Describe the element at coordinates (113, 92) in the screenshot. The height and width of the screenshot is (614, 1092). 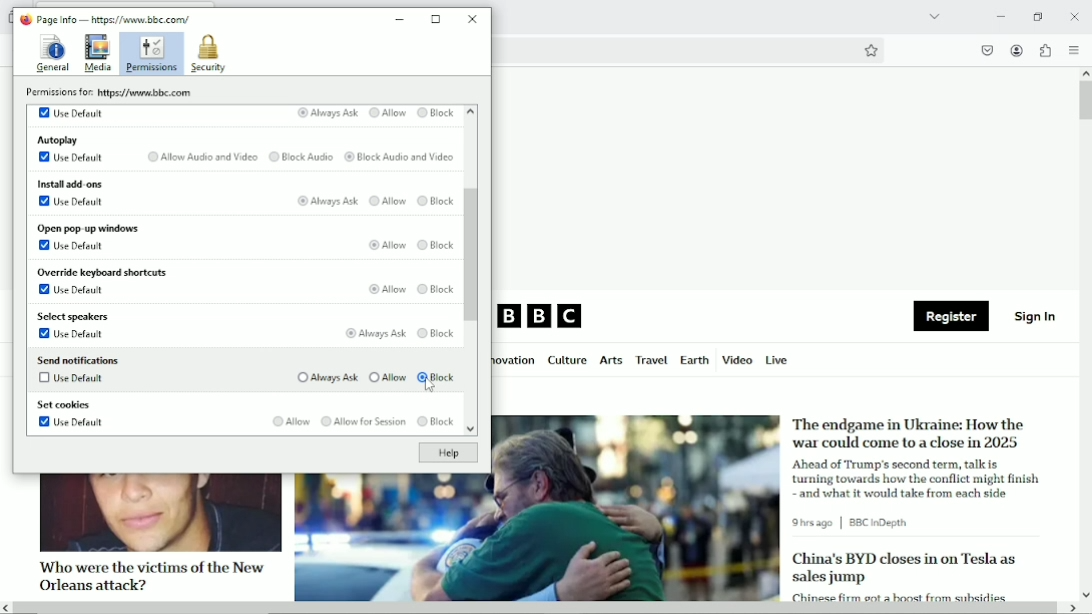
I see `Permissions tor https://www.bbc.com` at that location.